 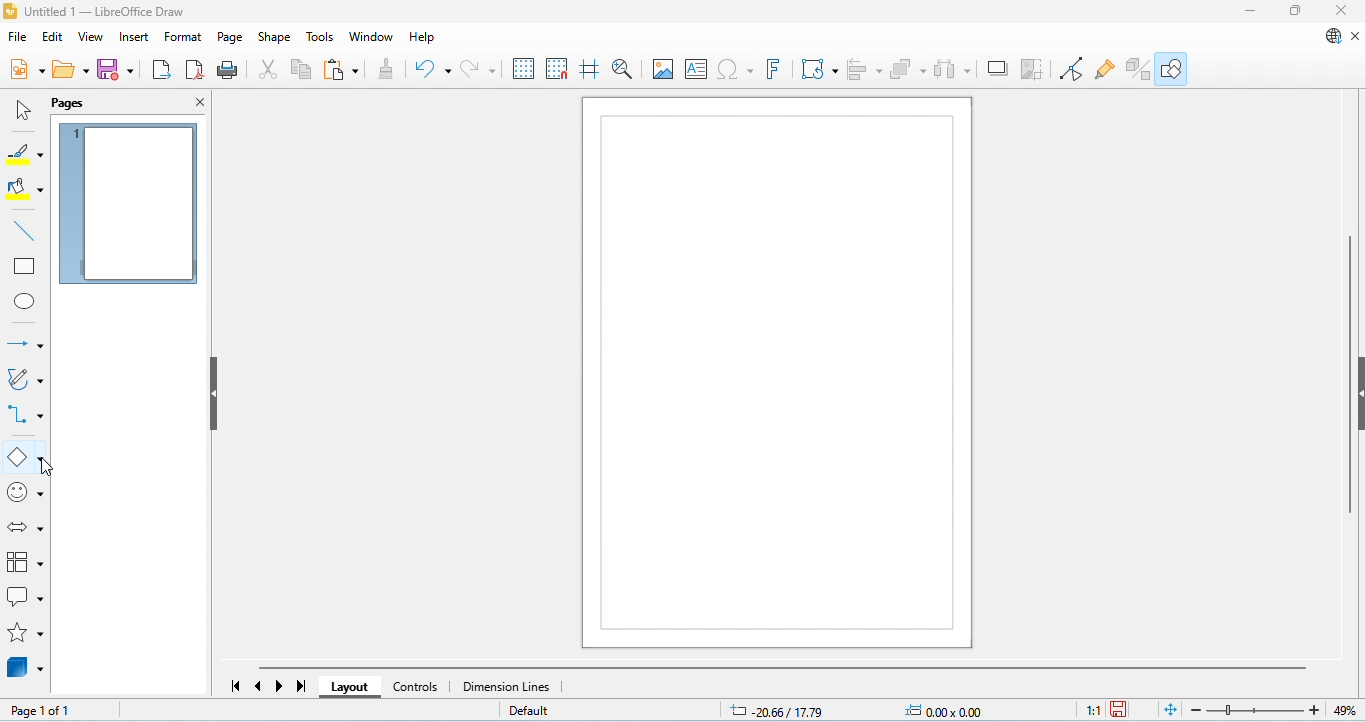 I want to click on close document, so click(x=1356, y=36).